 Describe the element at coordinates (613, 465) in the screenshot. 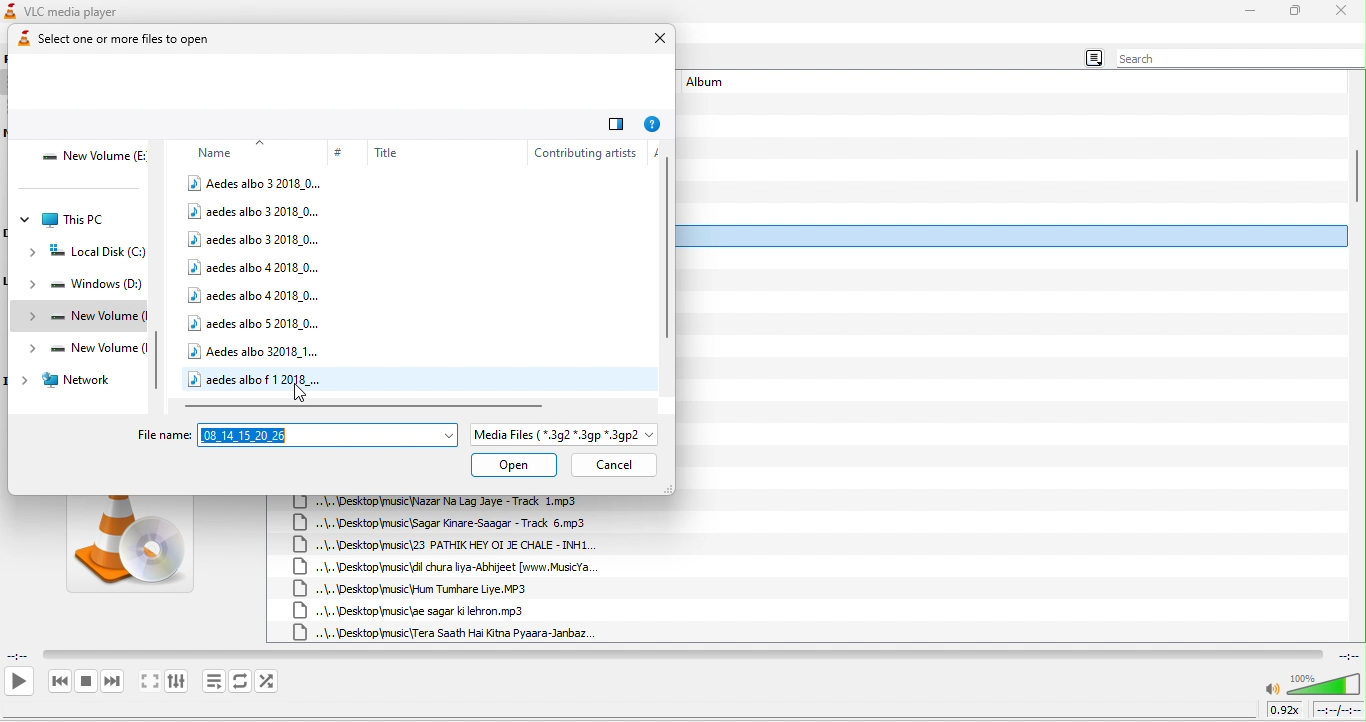

I see `cancel` at that location.